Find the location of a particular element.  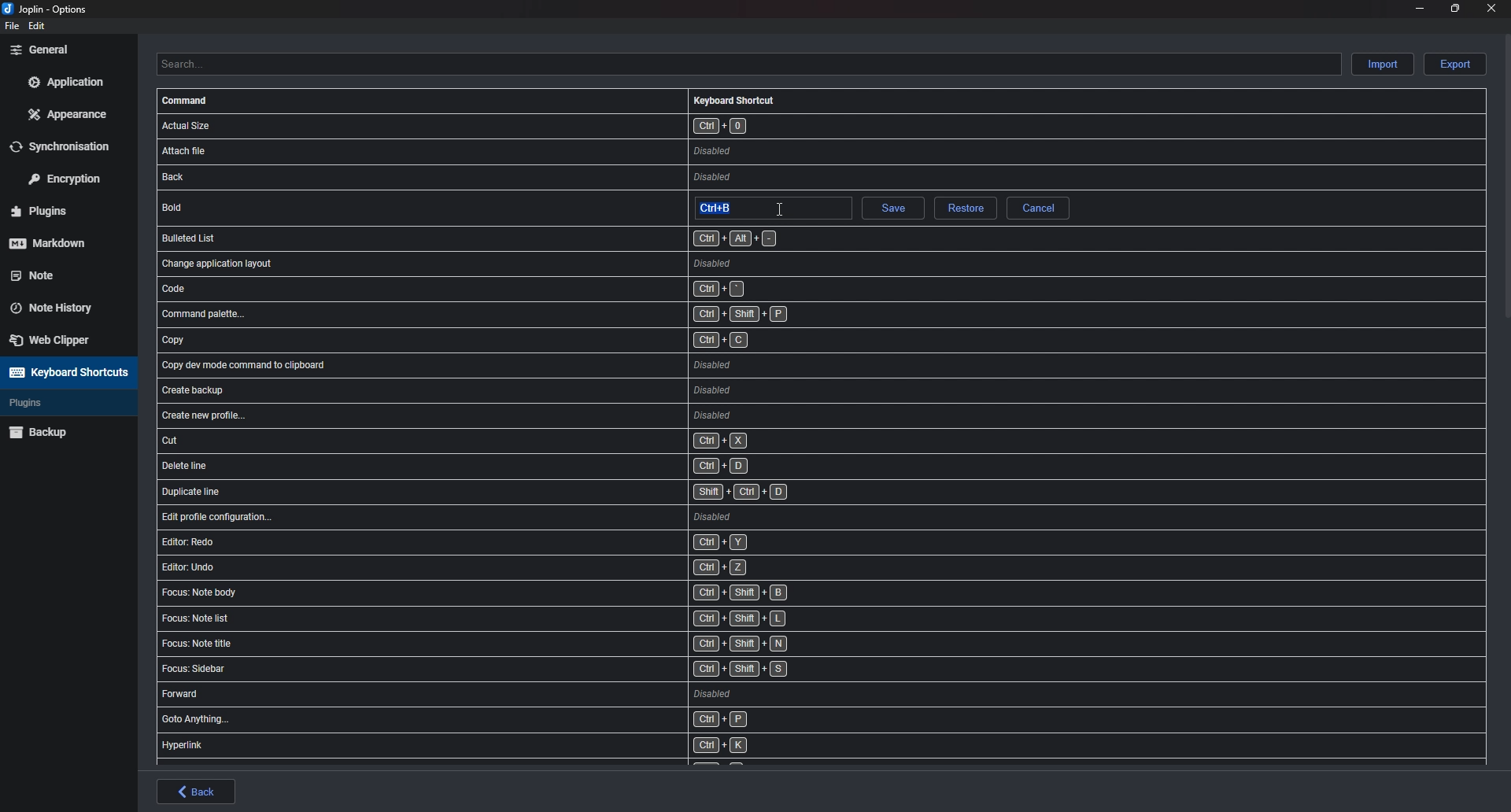

shortcut is located at coordinates (538, 491).